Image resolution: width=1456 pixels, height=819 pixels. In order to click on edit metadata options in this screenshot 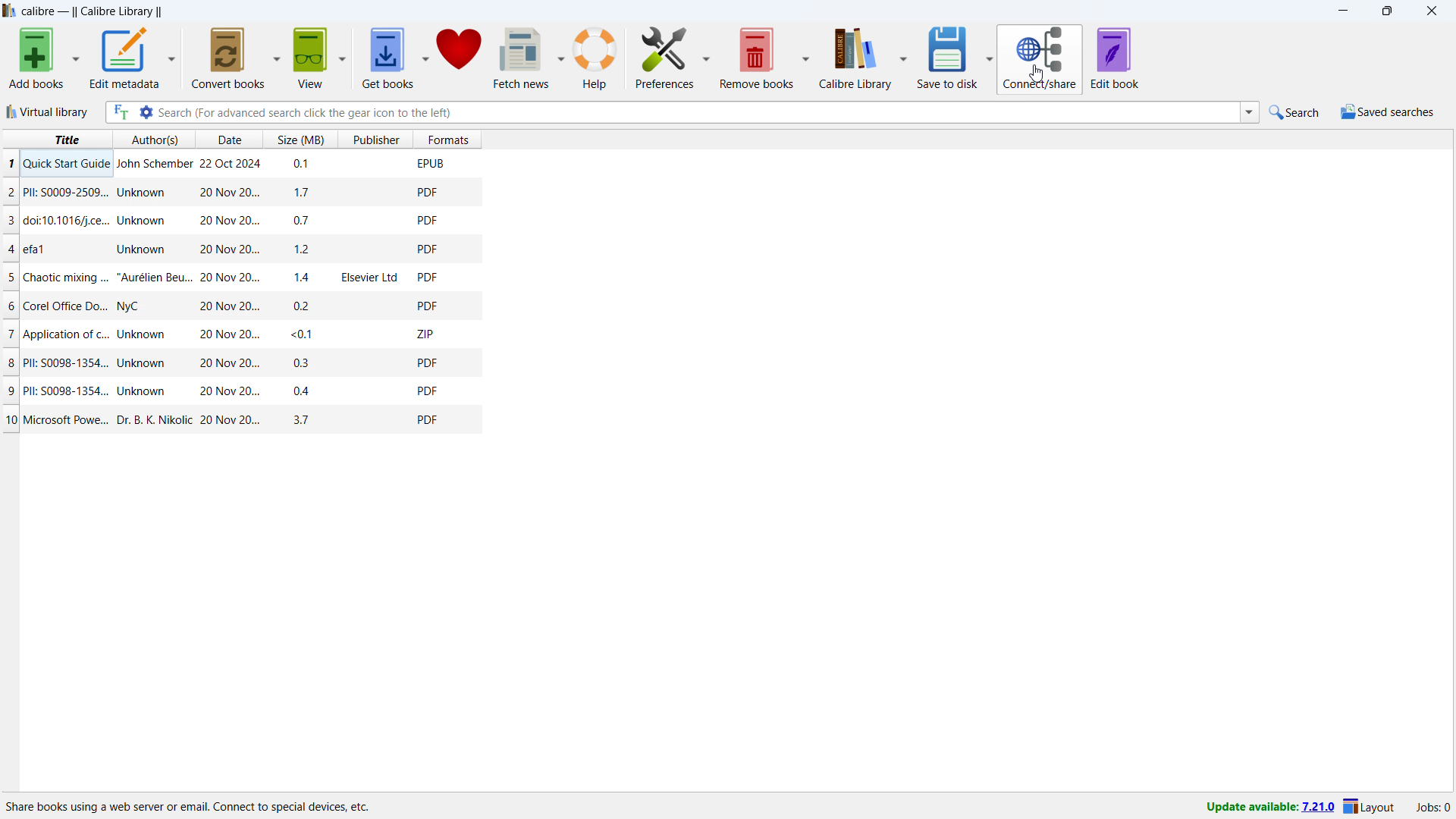, I will do `click(171, 56)`.